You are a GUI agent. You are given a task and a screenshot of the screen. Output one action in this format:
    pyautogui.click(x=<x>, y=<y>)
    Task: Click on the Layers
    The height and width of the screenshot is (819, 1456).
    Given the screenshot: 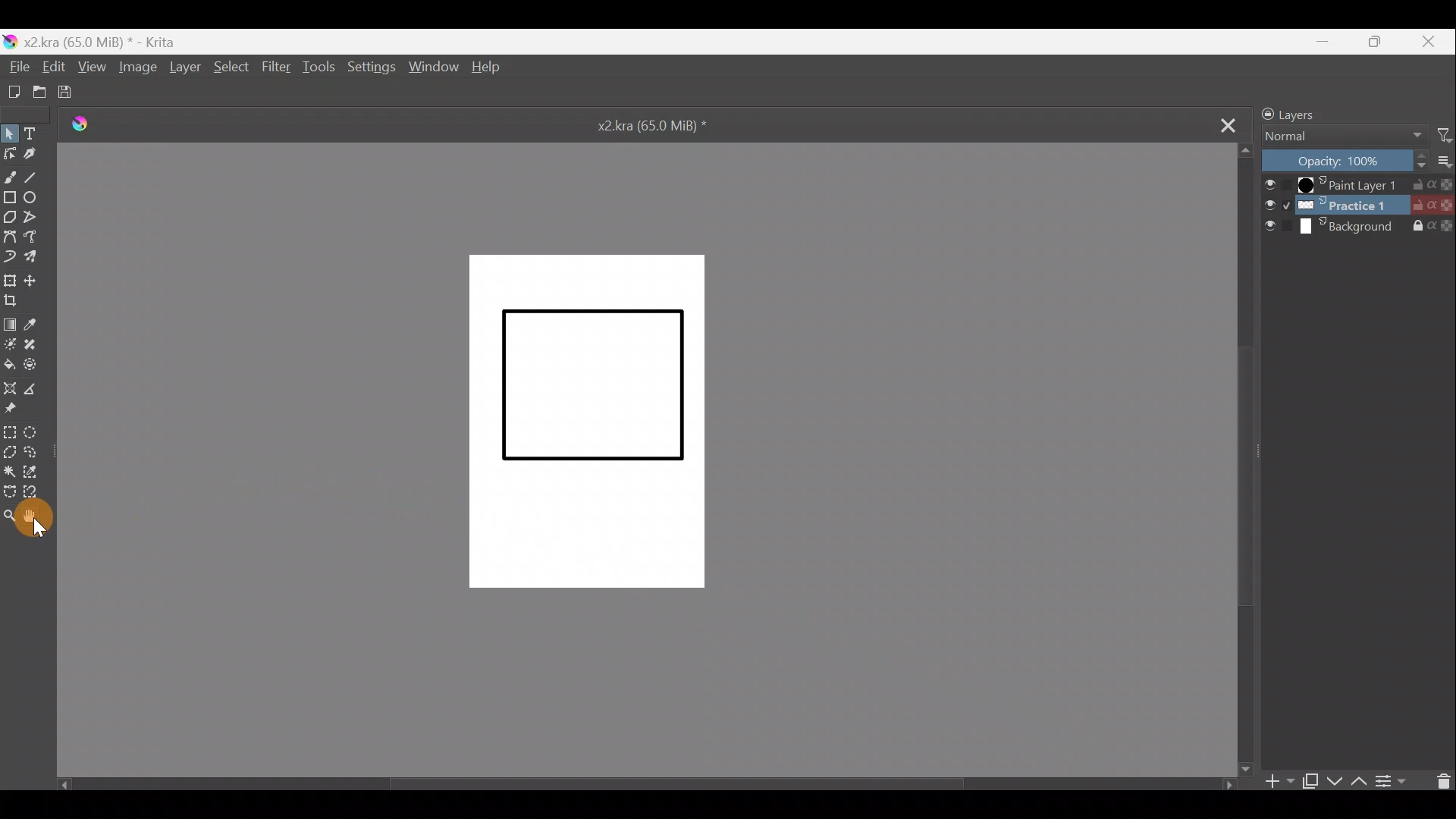 What is the action you would take?
    pyautogui.click(x=1323, y=114)
    